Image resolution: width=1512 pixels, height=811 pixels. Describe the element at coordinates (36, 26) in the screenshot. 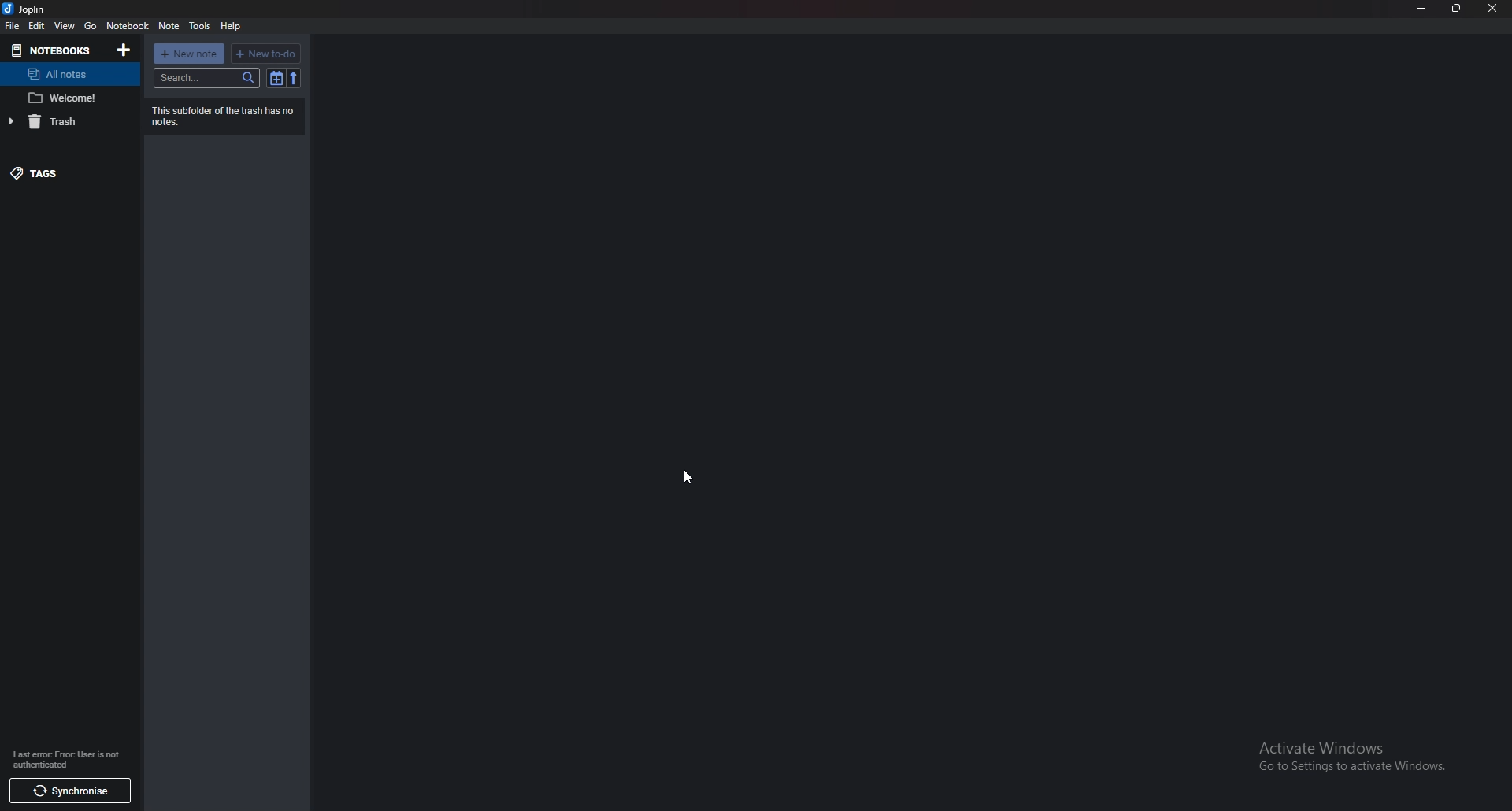

I see `edit` at that location.